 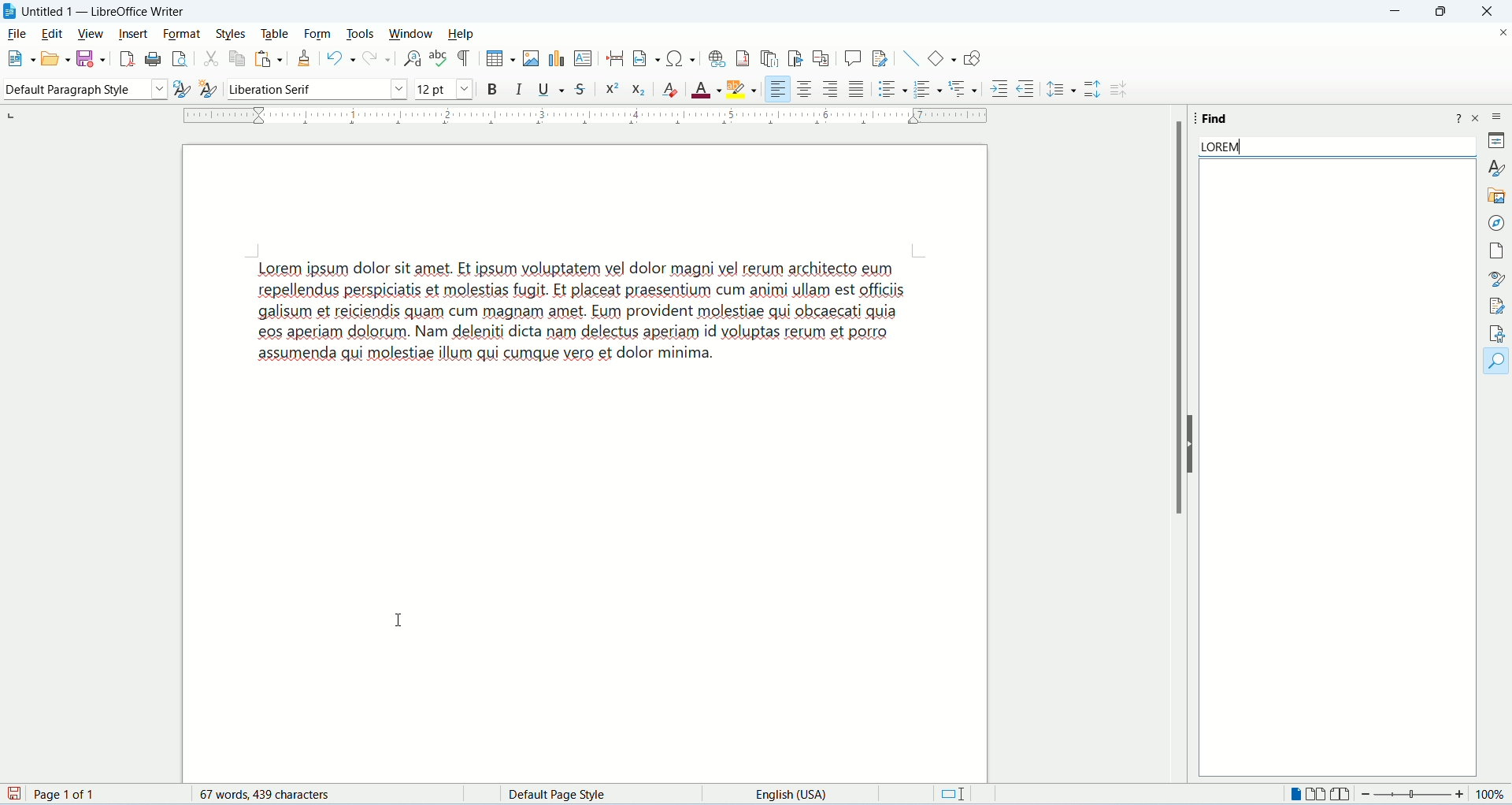 I want to click on logo, so click(x=9, y=12).